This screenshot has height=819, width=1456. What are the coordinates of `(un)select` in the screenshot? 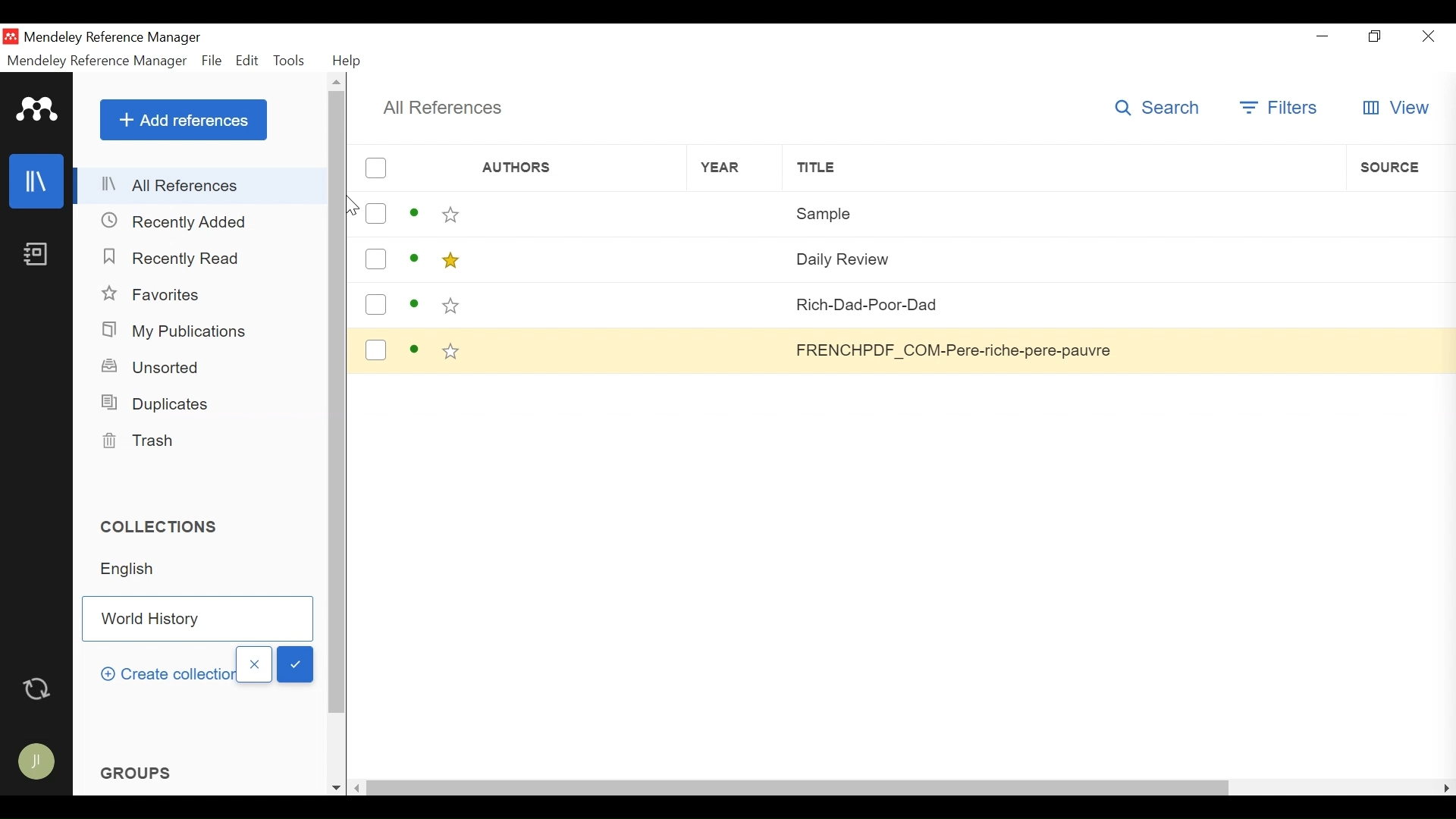 It's located at (375, 259).